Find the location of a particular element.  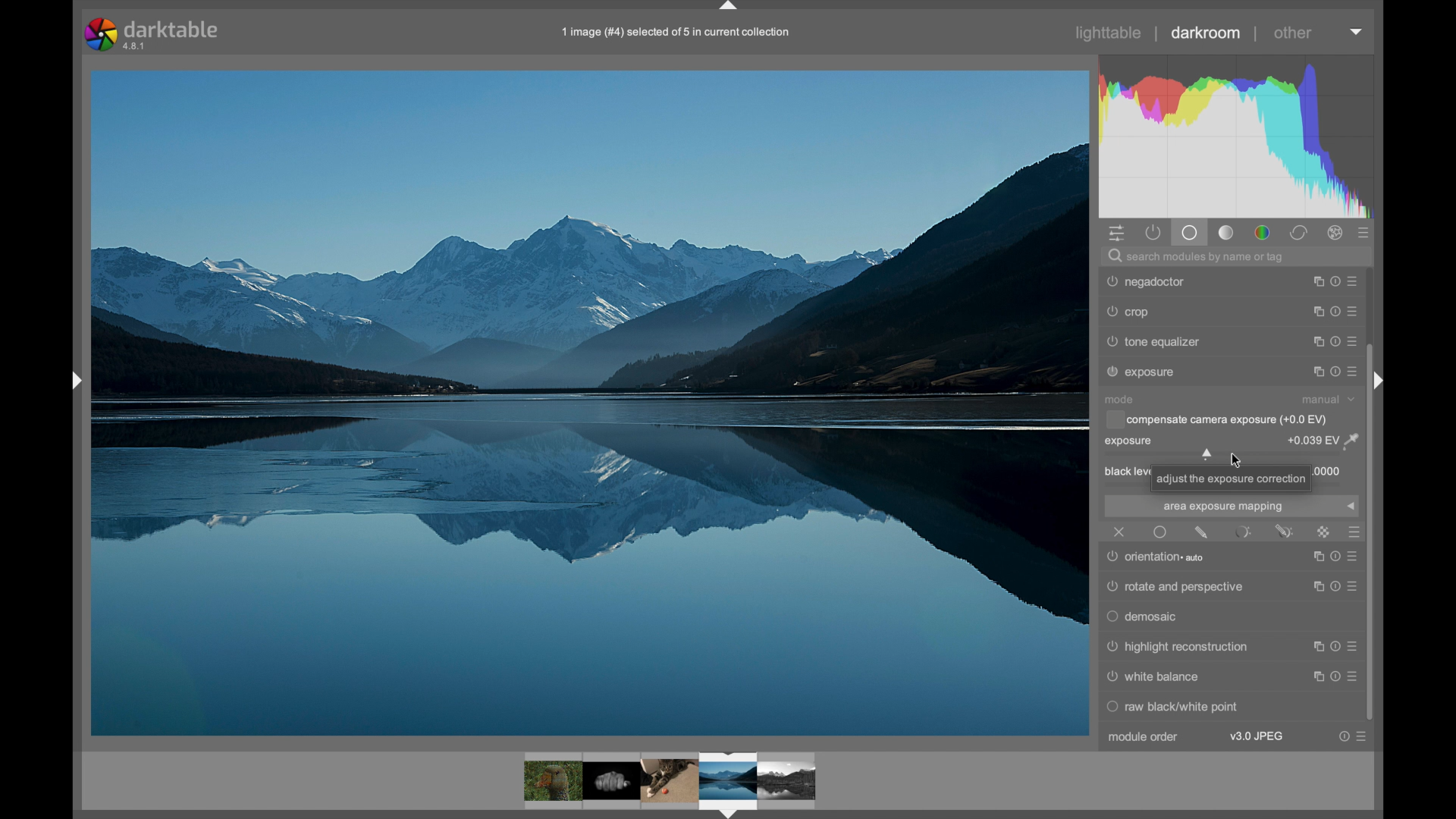

scroll box is located at coordinates (1379, 532).